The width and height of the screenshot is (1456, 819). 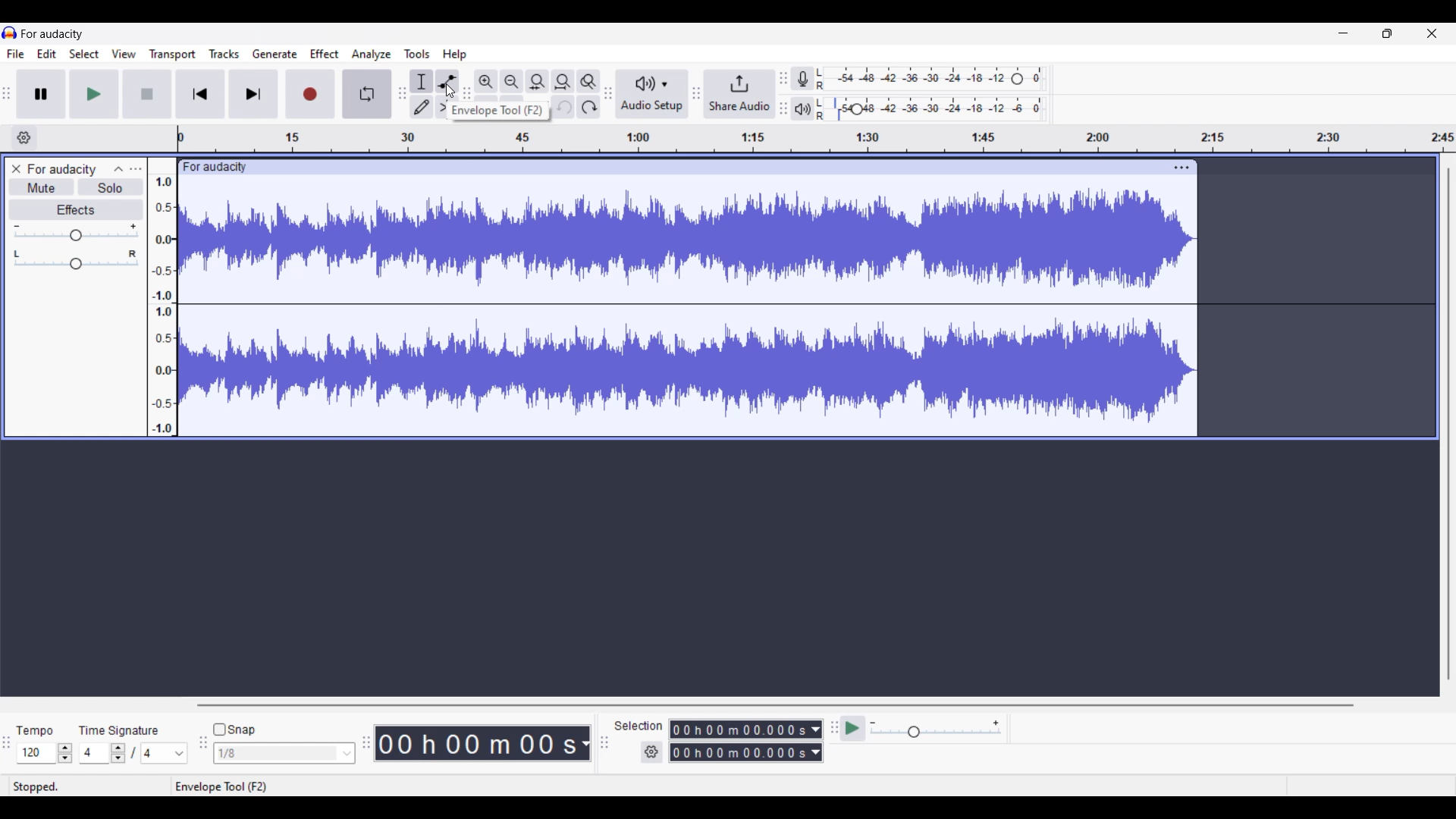 I want to click on Fit selection to width, so click(x=538, y=81).